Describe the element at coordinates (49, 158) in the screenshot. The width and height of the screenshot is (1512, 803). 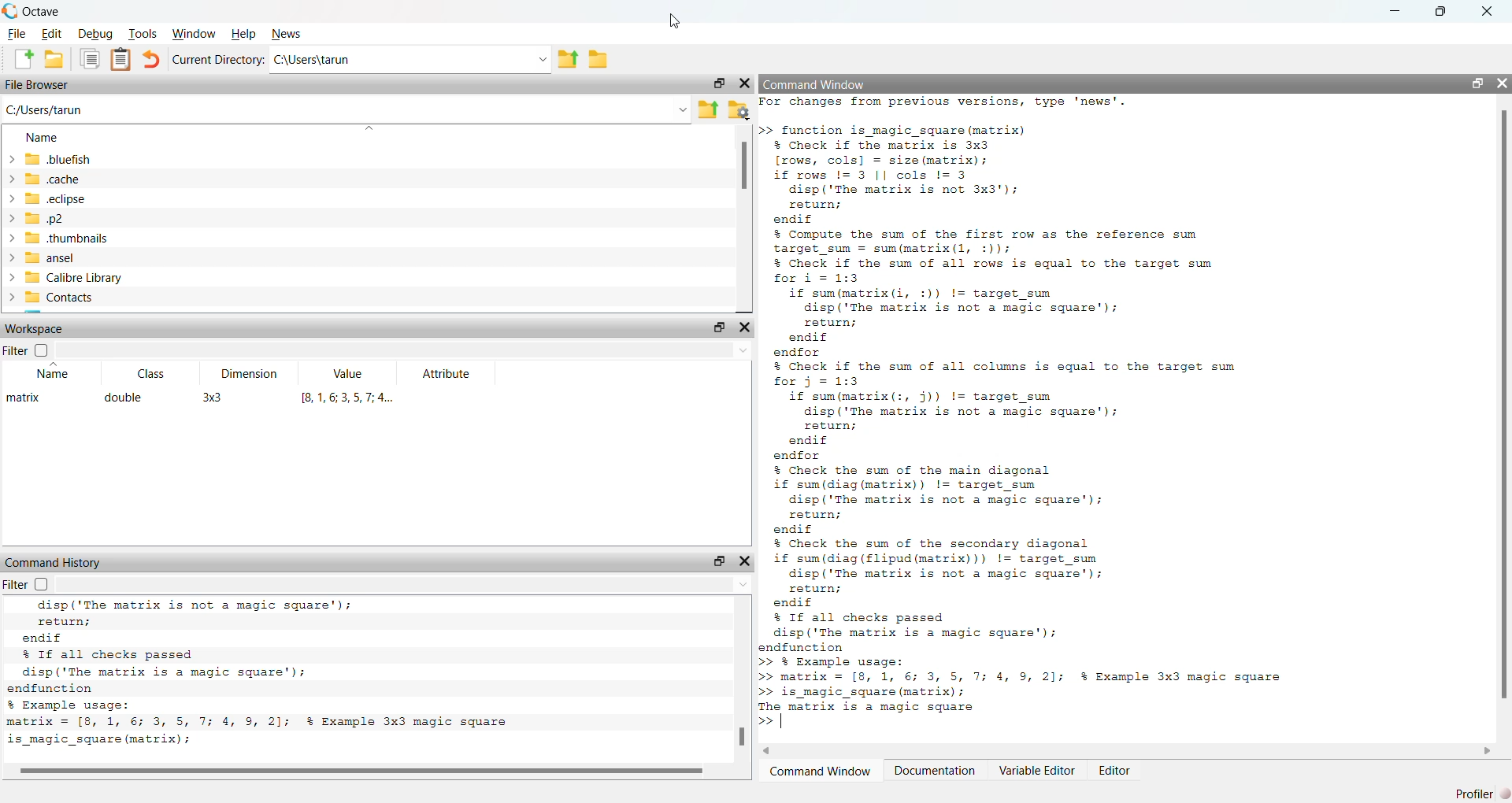
I see `.bluefish` at that location.